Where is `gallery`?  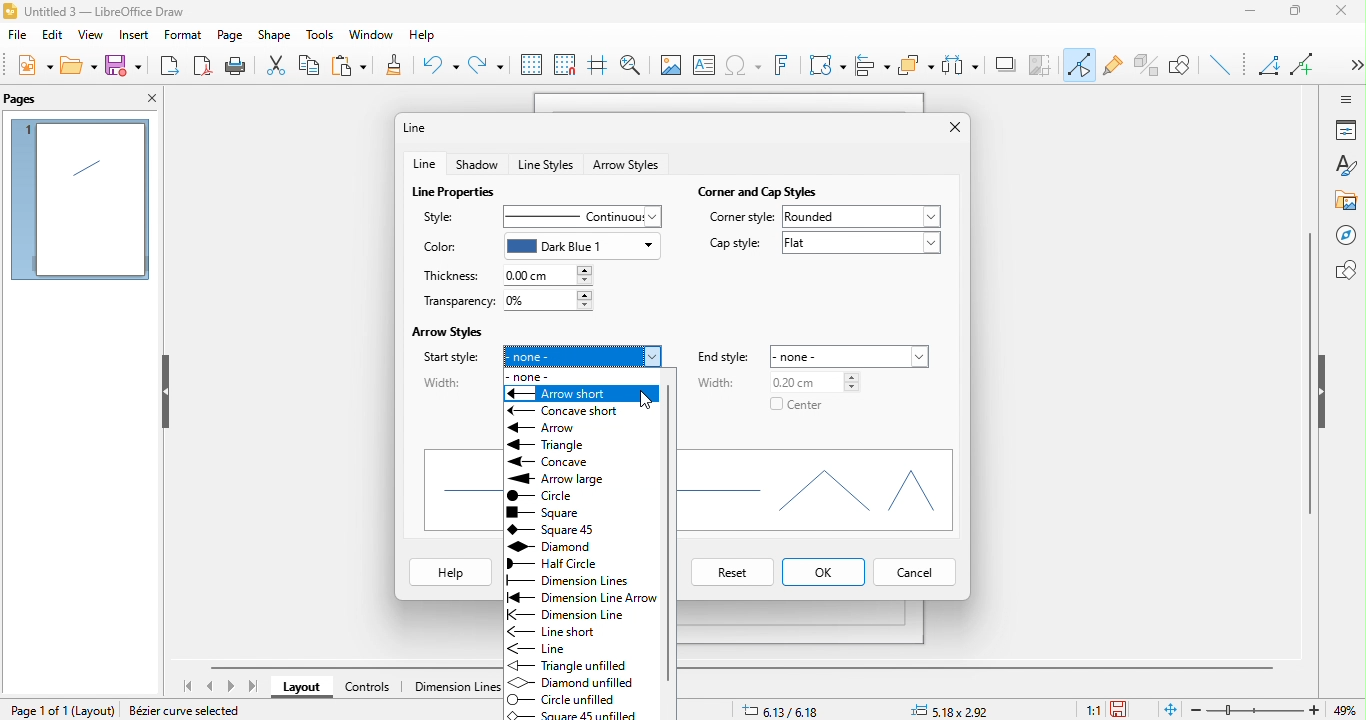
gallery is located at coordinates (1347, 201).